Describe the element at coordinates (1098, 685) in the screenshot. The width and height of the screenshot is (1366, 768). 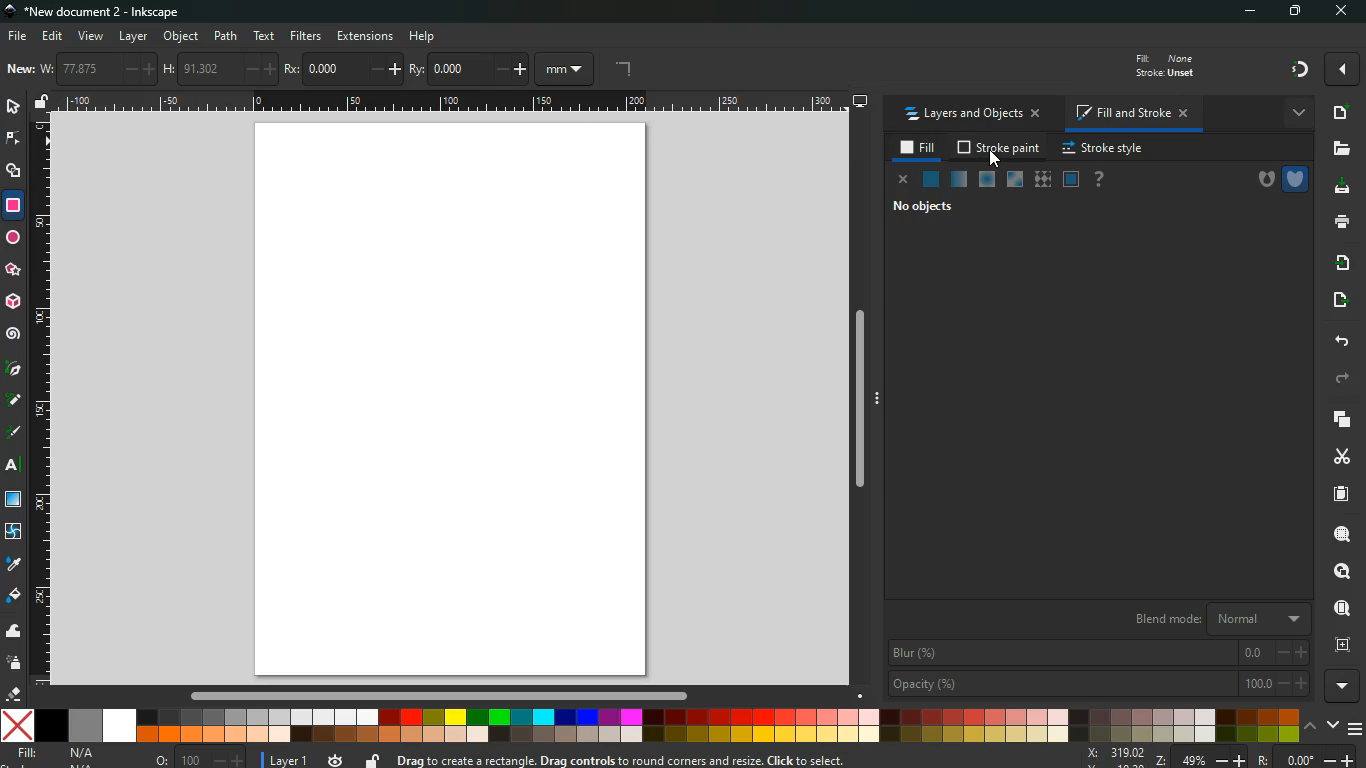
I see `opacity` at that location.